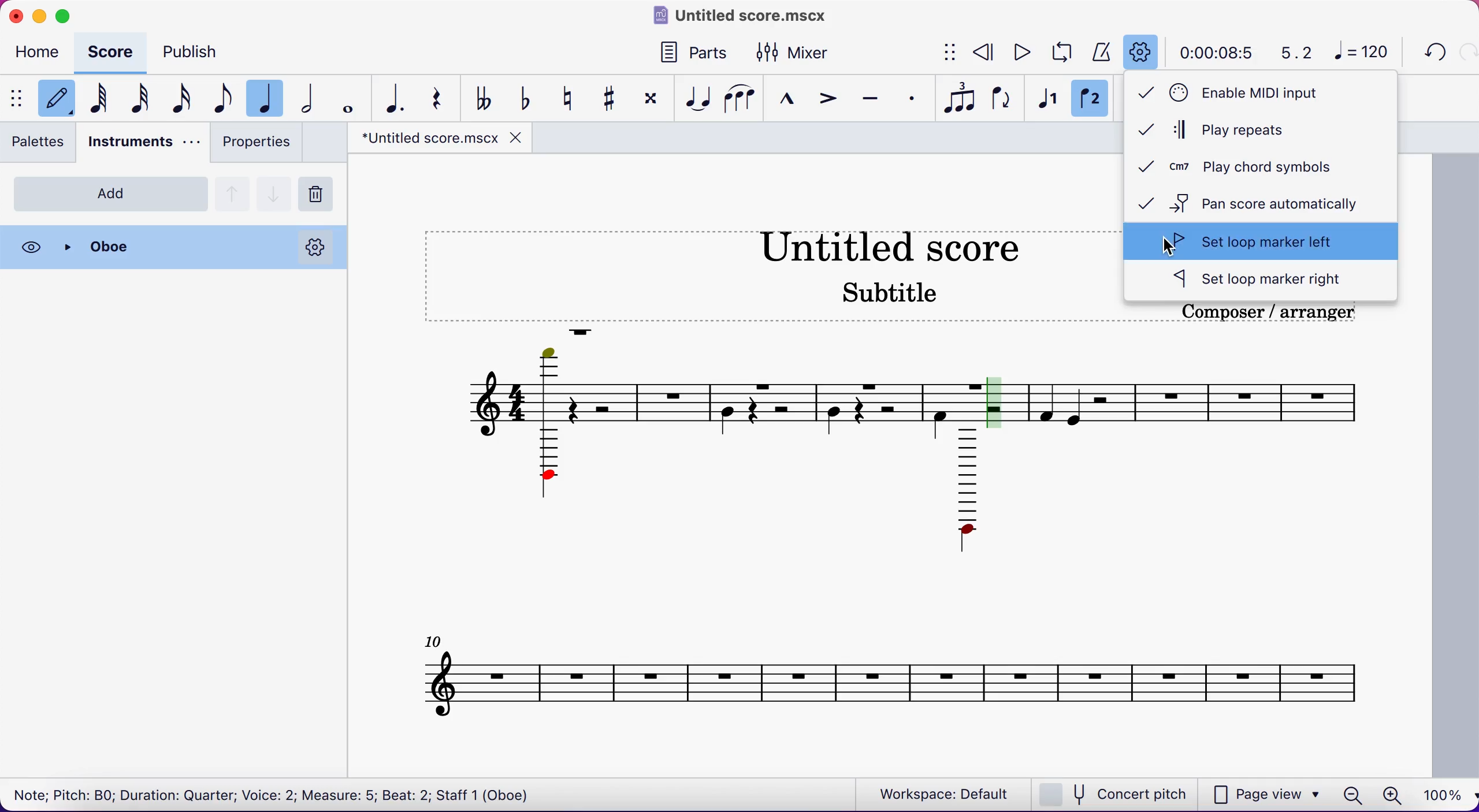 The width and height of the screenshot is (1479, 812). What do you see at coordinates (15, 98) in the screenshot?
I see `menu` at bounding box center [15, 98].